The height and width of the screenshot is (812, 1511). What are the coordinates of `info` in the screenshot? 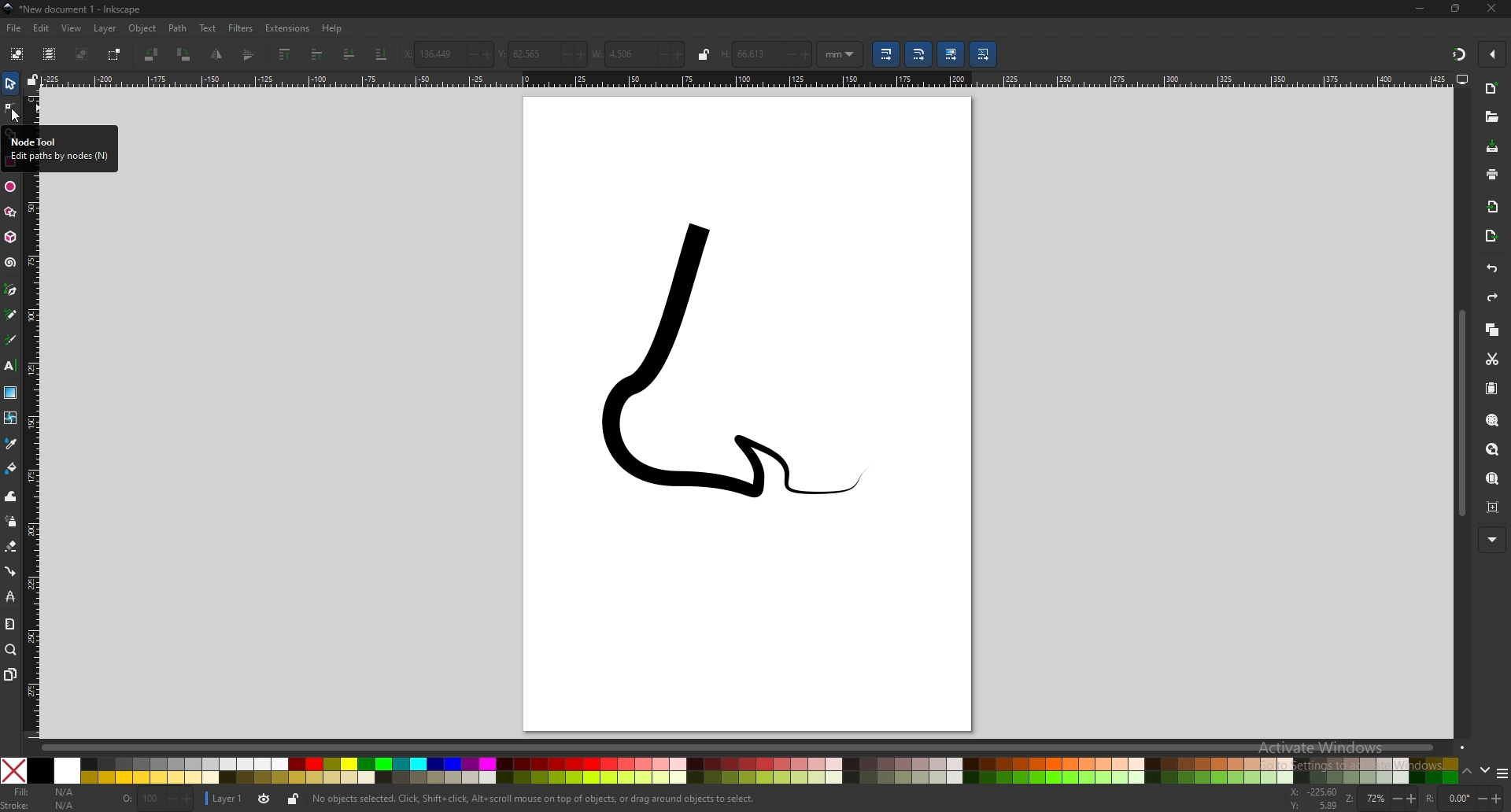 It's located at (534, 799).